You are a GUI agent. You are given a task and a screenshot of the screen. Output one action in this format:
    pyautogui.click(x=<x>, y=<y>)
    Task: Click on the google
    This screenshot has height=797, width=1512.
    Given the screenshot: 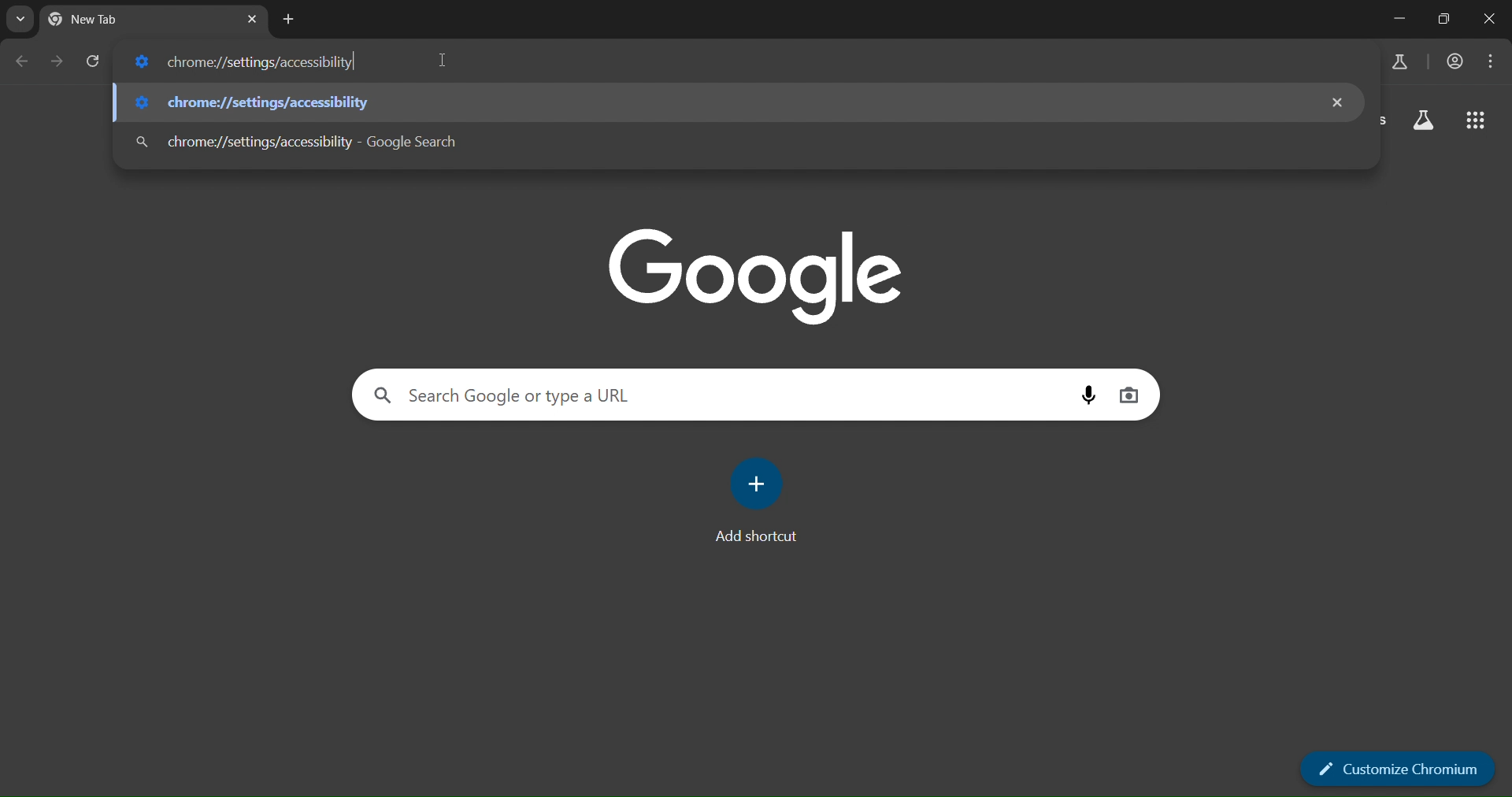 What is the action you would take?
    pyautogui.click(x=755, y=277)
    